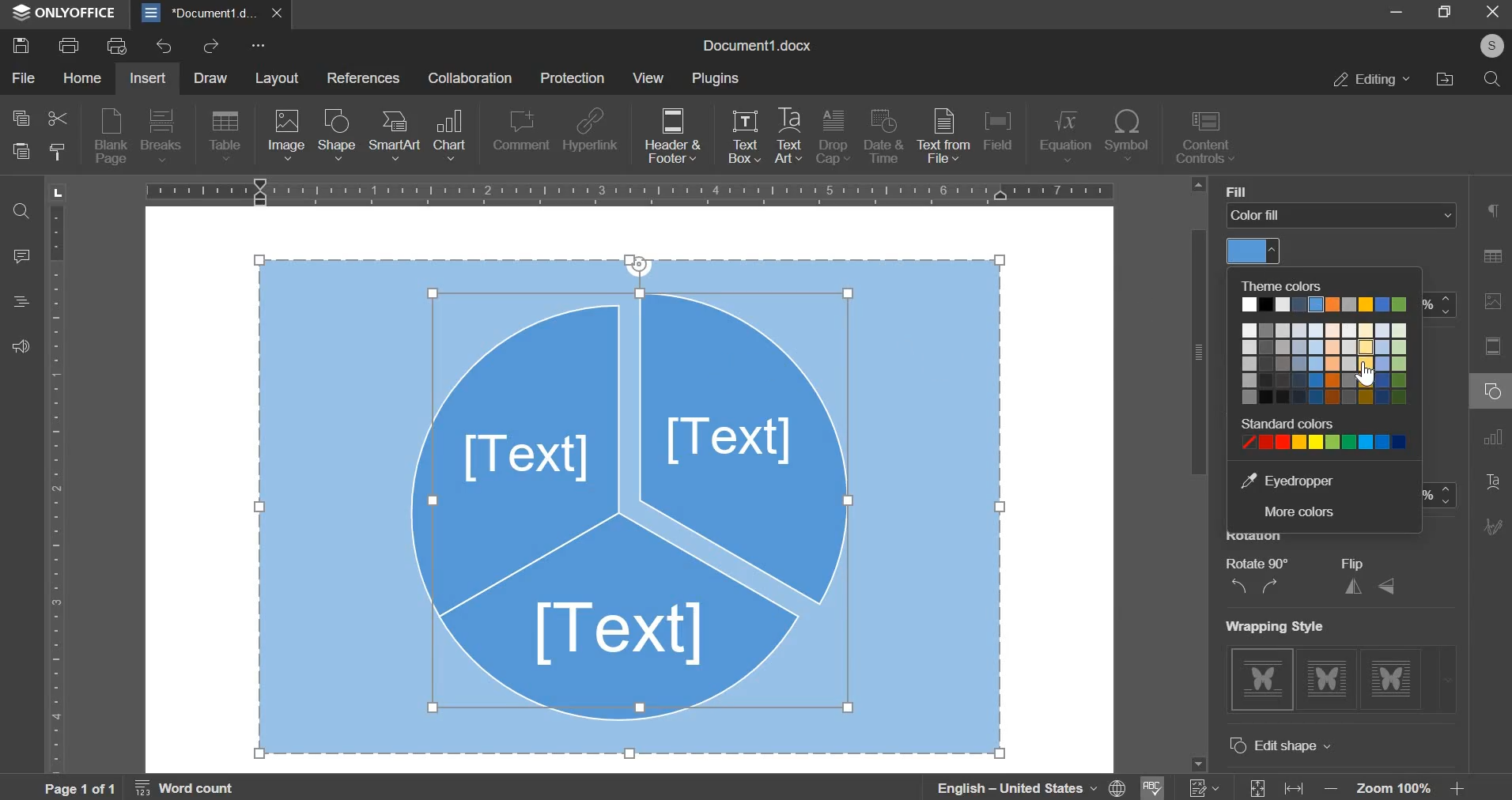 The image size is (1512, 800). Describe the element at coordinates (258, 46) in the screenshot. I see `more` at that location.